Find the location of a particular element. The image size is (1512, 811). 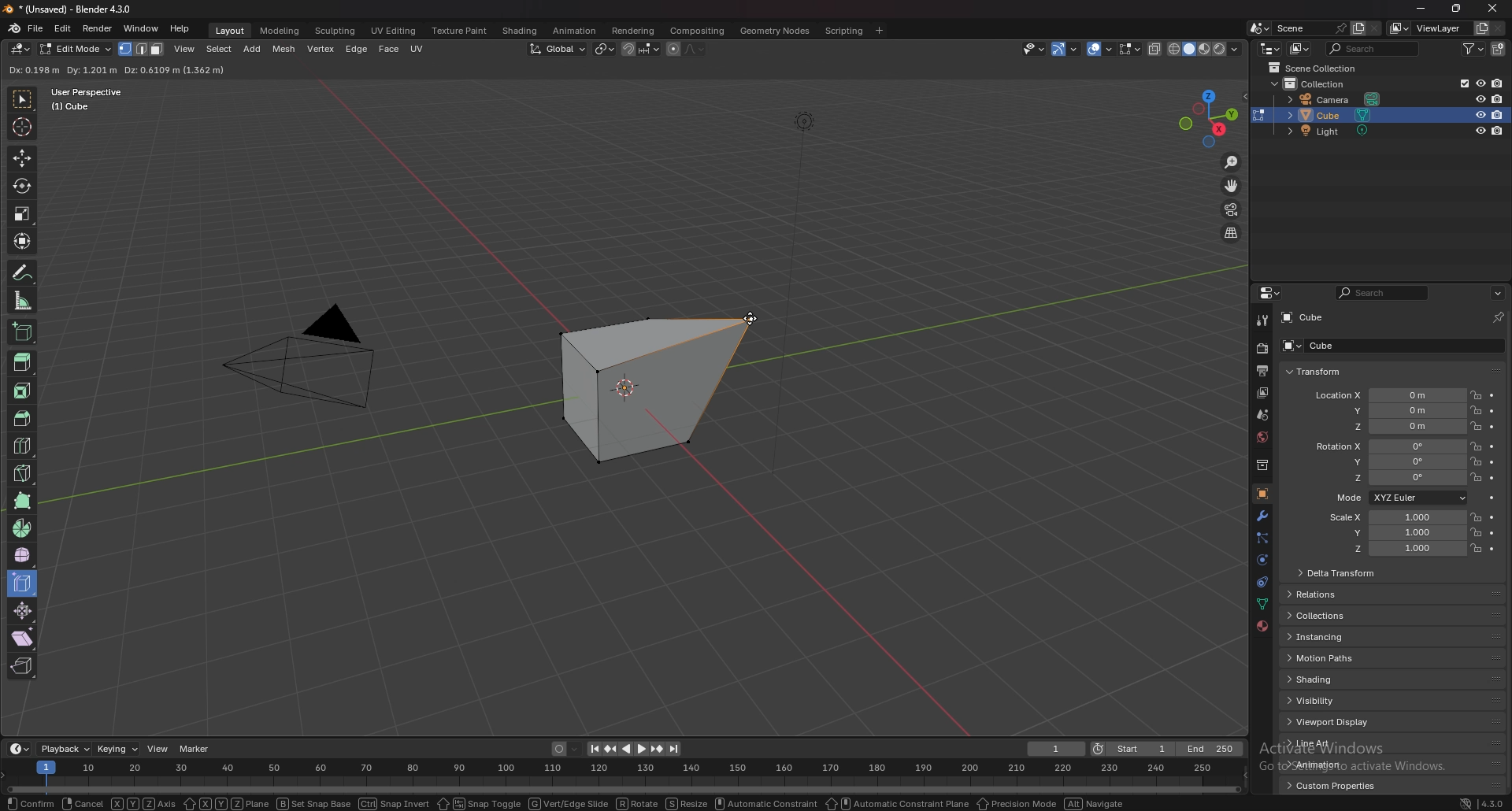

rotate is located at coordinates (21, 186).